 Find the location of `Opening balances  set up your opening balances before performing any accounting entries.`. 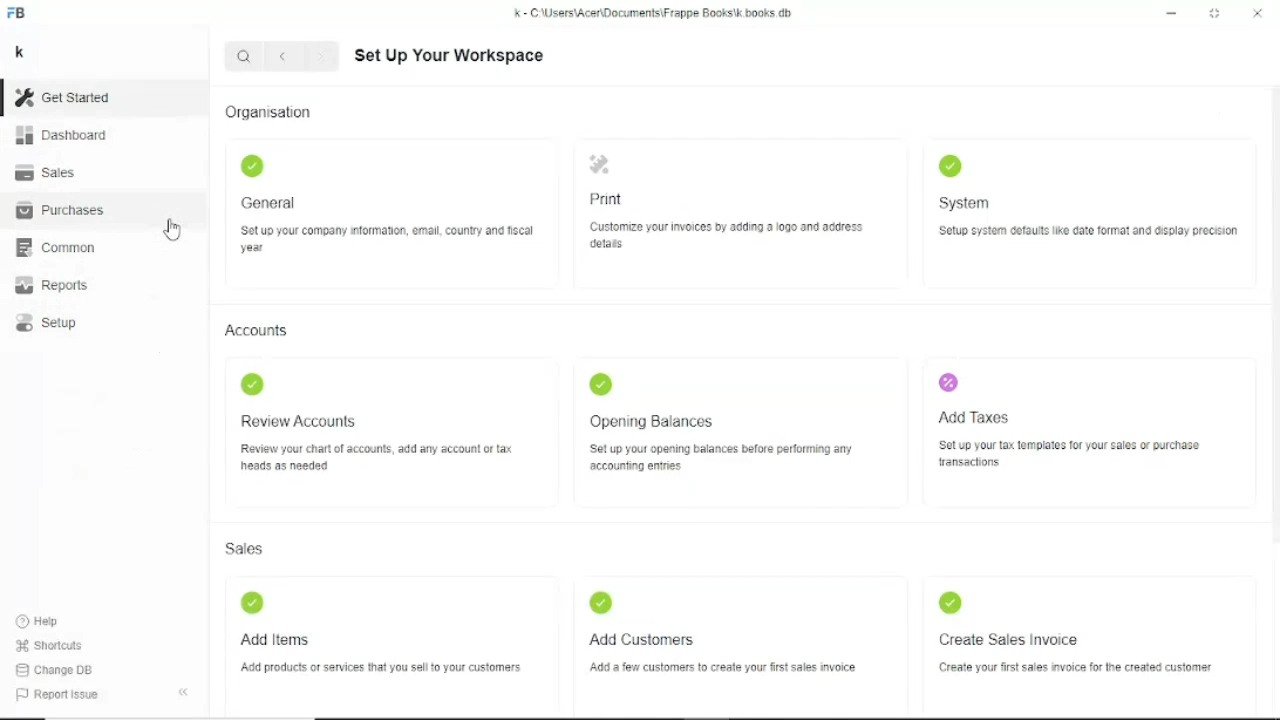

Opening balances  set up your opening balances before performing any accounting entries. is located at coordinates (719, 425).